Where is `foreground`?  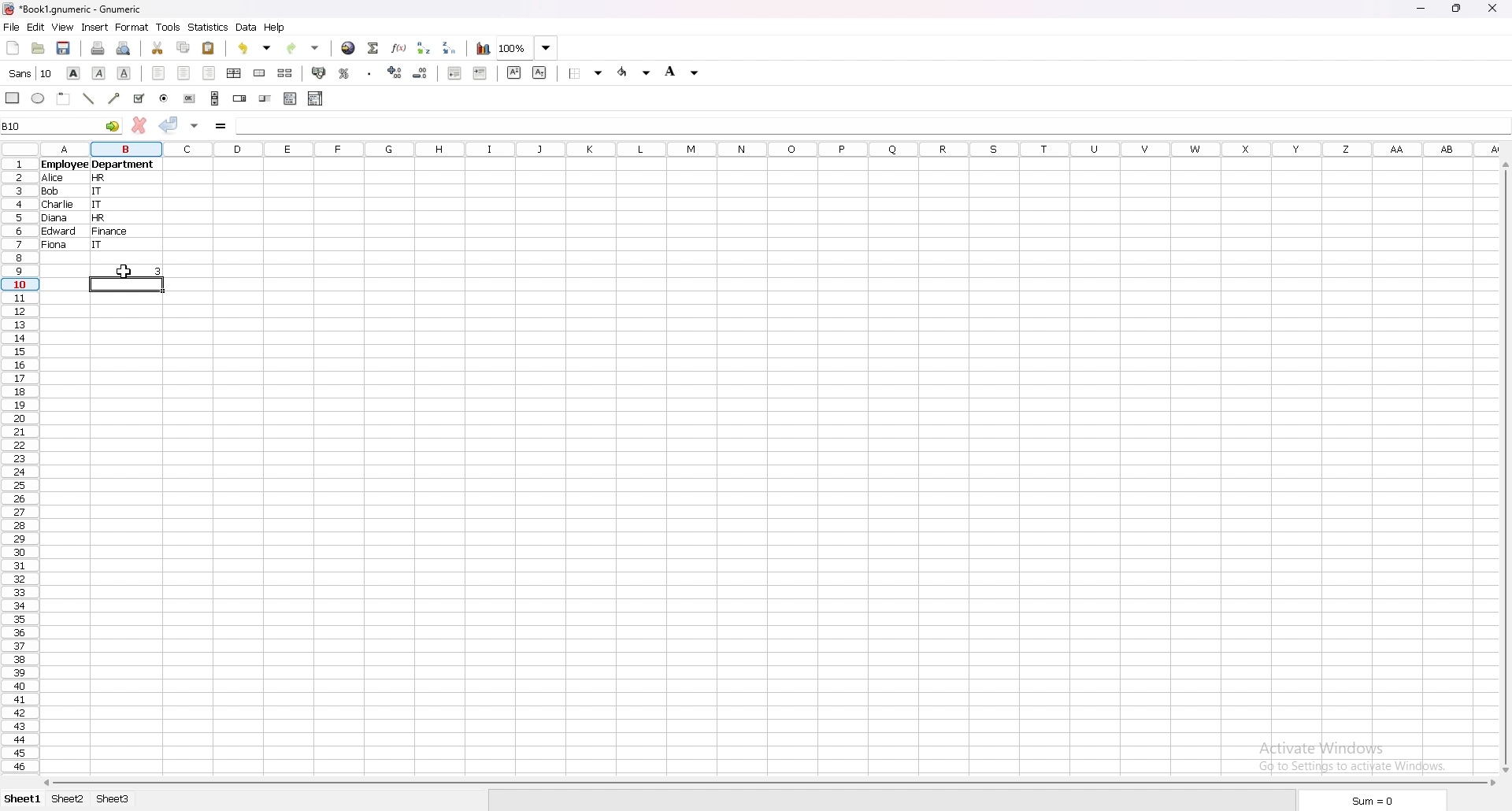 foreground is located at coordinates (635, 72).